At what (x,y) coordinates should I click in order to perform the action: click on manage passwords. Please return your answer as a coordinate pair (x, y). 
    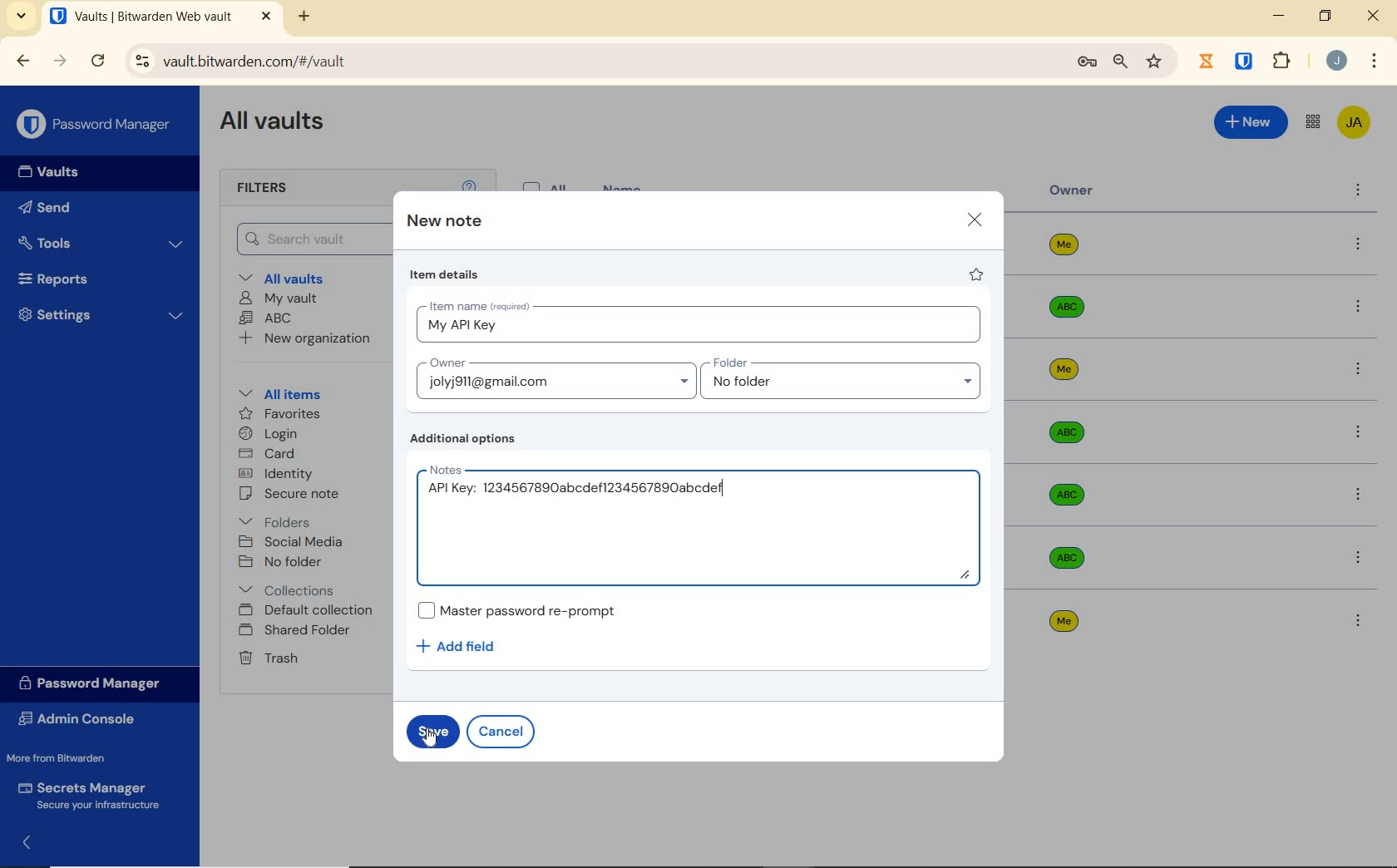
    Looking at the image, I should click on (1087, 63).